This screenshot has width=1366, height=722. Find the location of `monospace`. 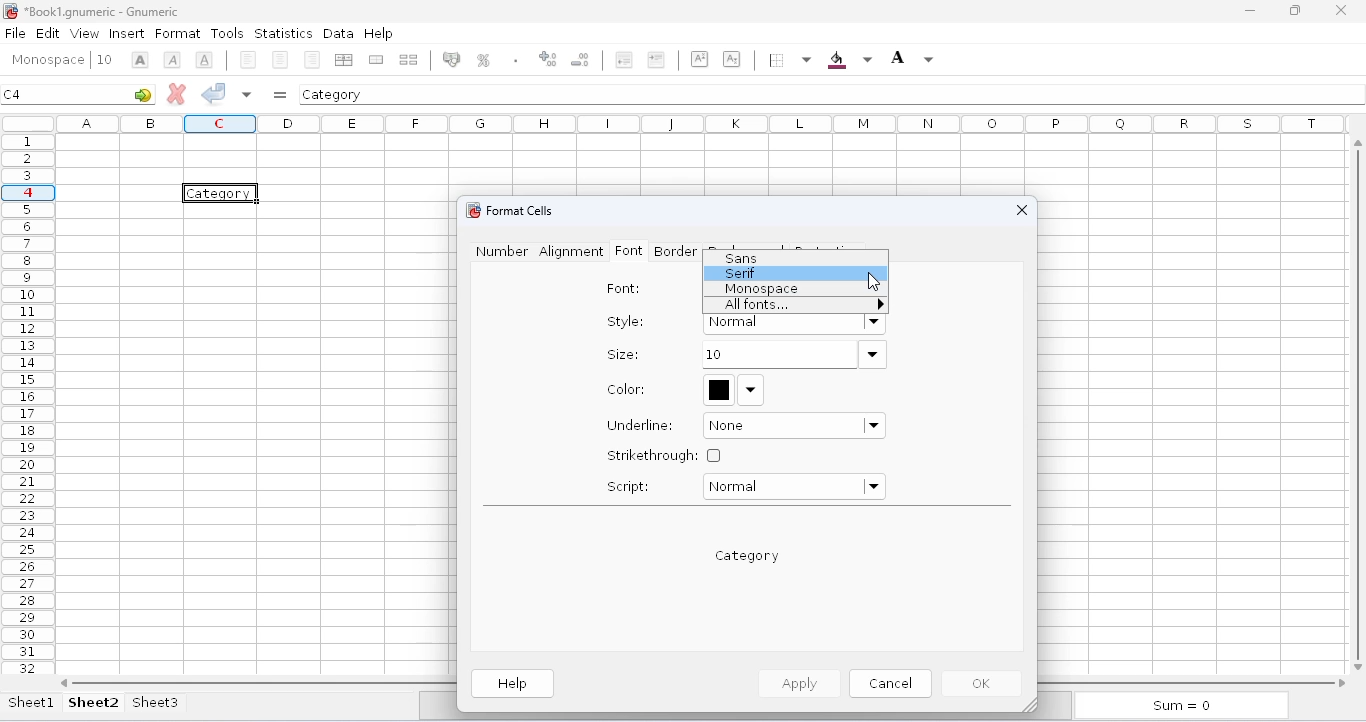

monospace is located at coordinates (762, 290).